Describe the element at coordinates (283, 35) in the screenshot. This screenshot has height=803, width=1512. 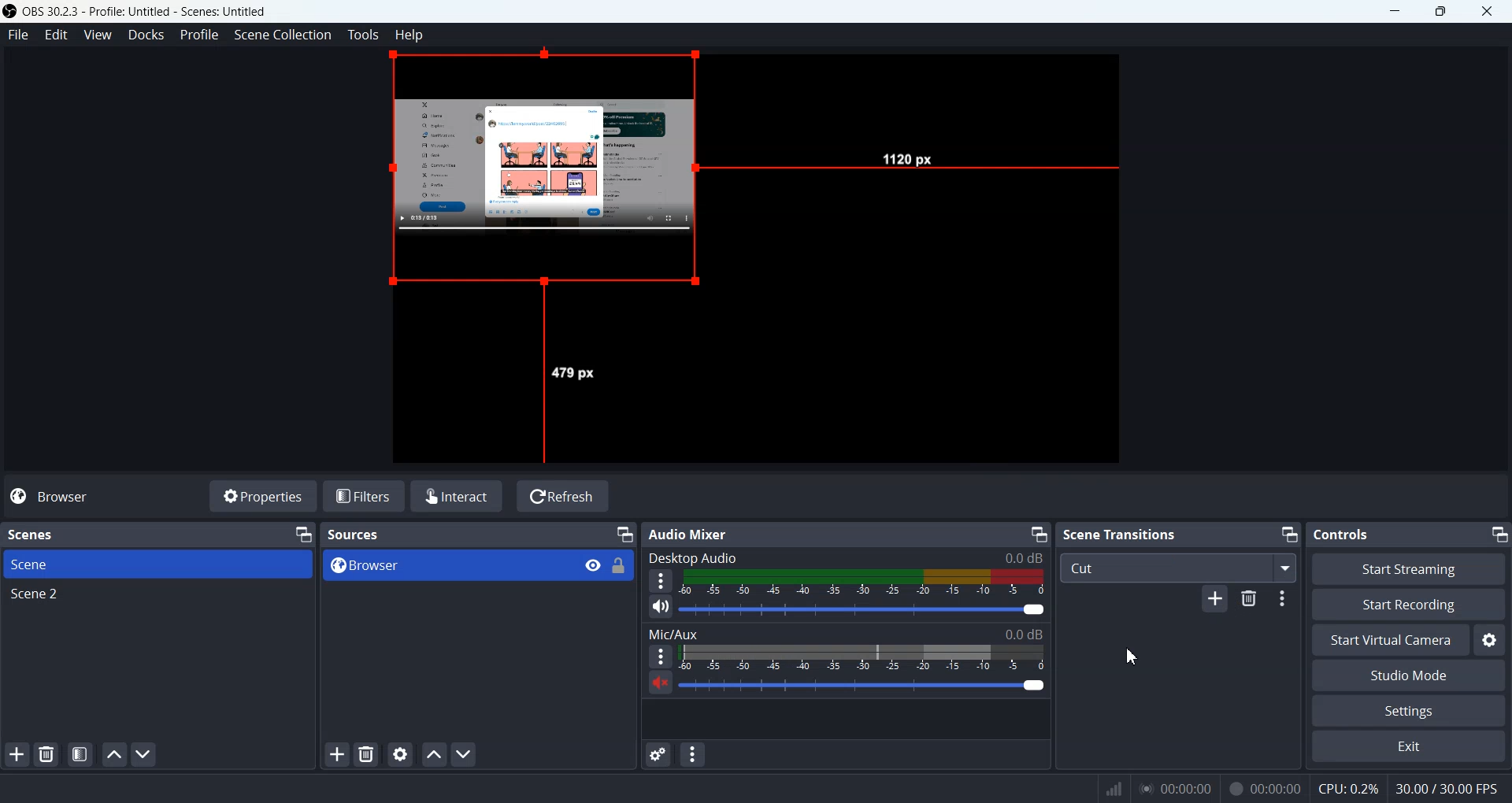
I see `Scene Collection` at that location.